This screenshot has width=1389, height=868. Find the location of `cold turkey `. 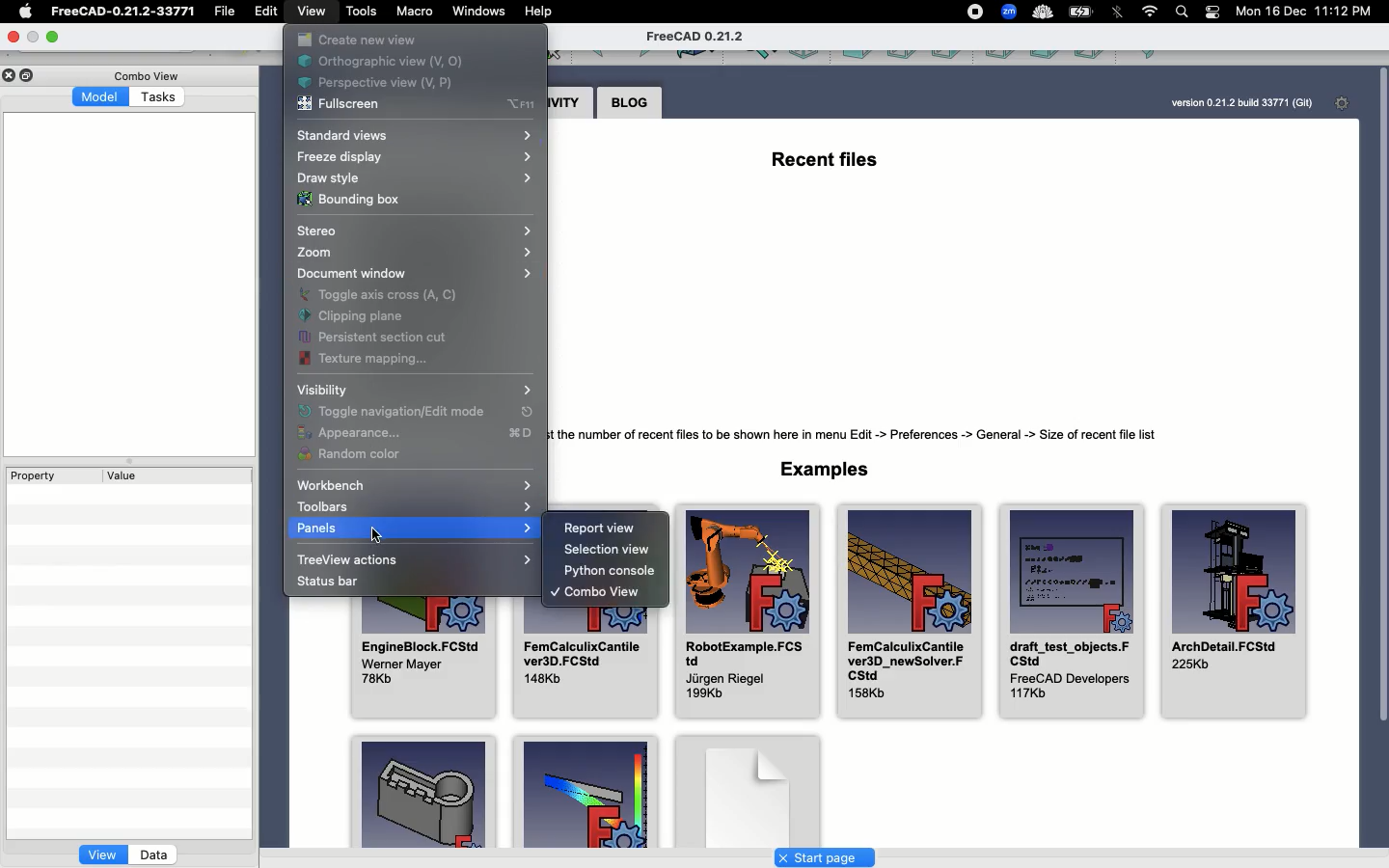

cold turkey  is located at coordinates (1042, 12).